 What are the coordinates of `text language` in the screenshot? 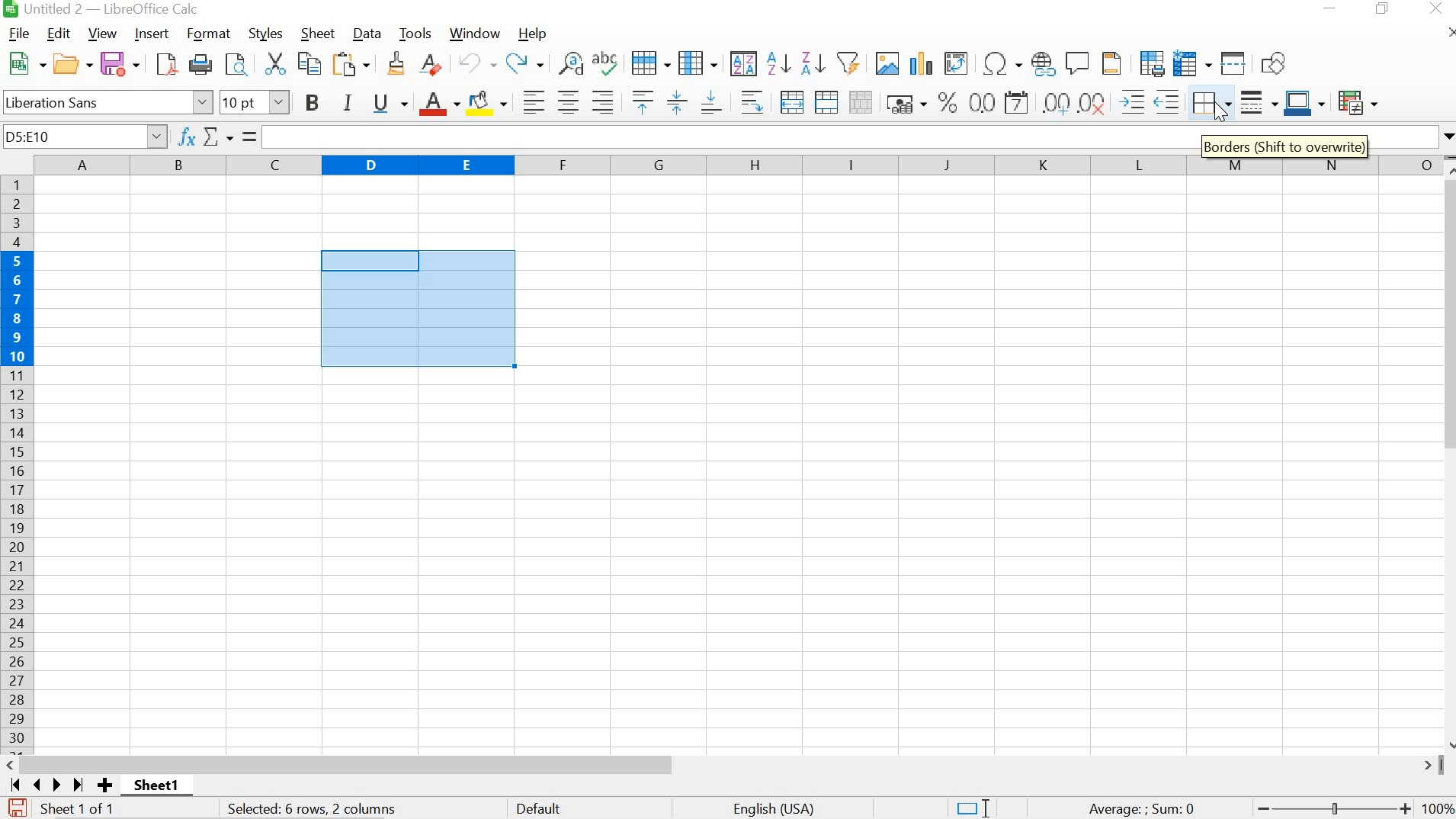 It's located at (776, 809).